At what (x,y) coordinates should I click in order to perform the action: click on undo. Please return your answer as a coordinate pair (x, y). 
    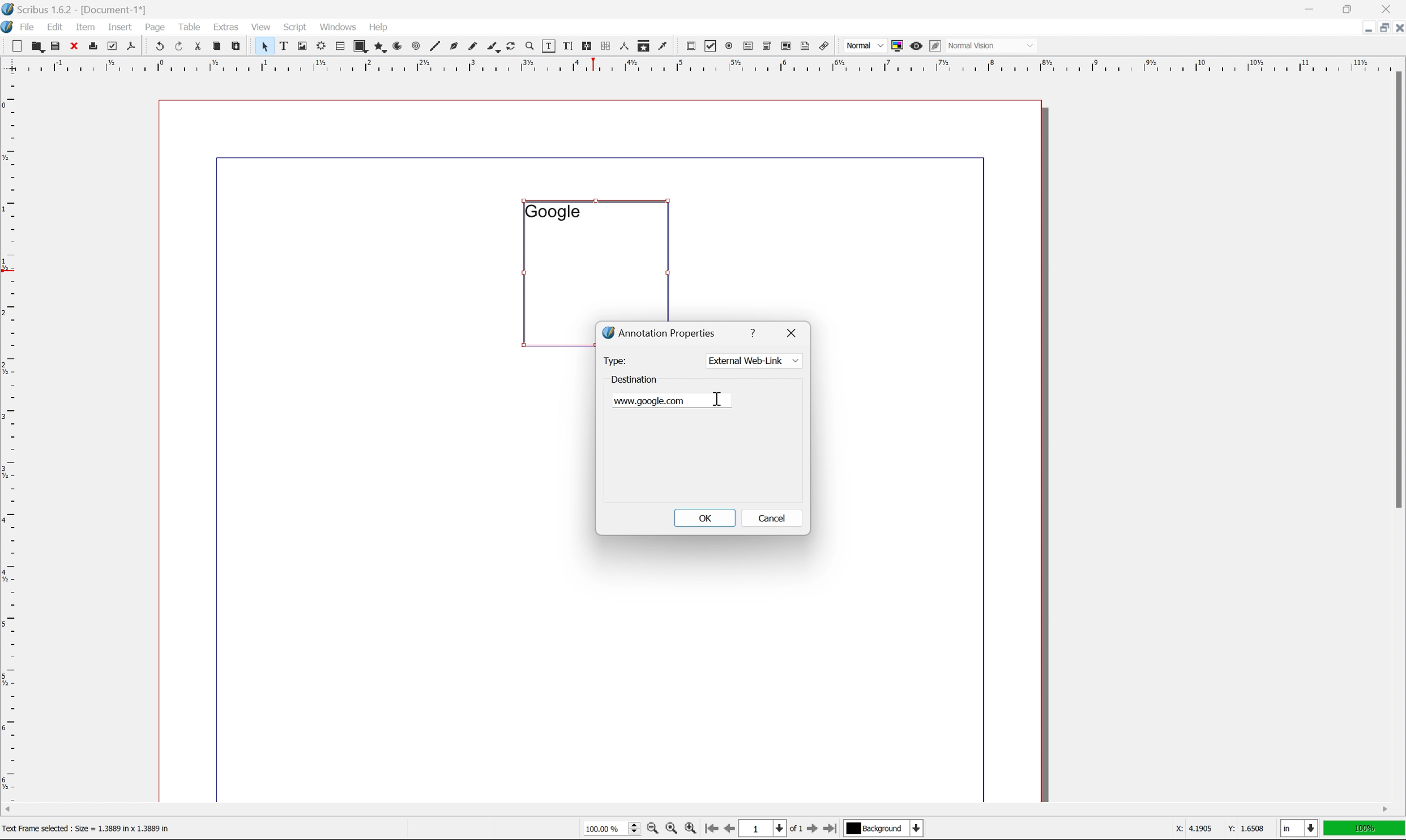
    Looking at the image, I should click on (159, 47).